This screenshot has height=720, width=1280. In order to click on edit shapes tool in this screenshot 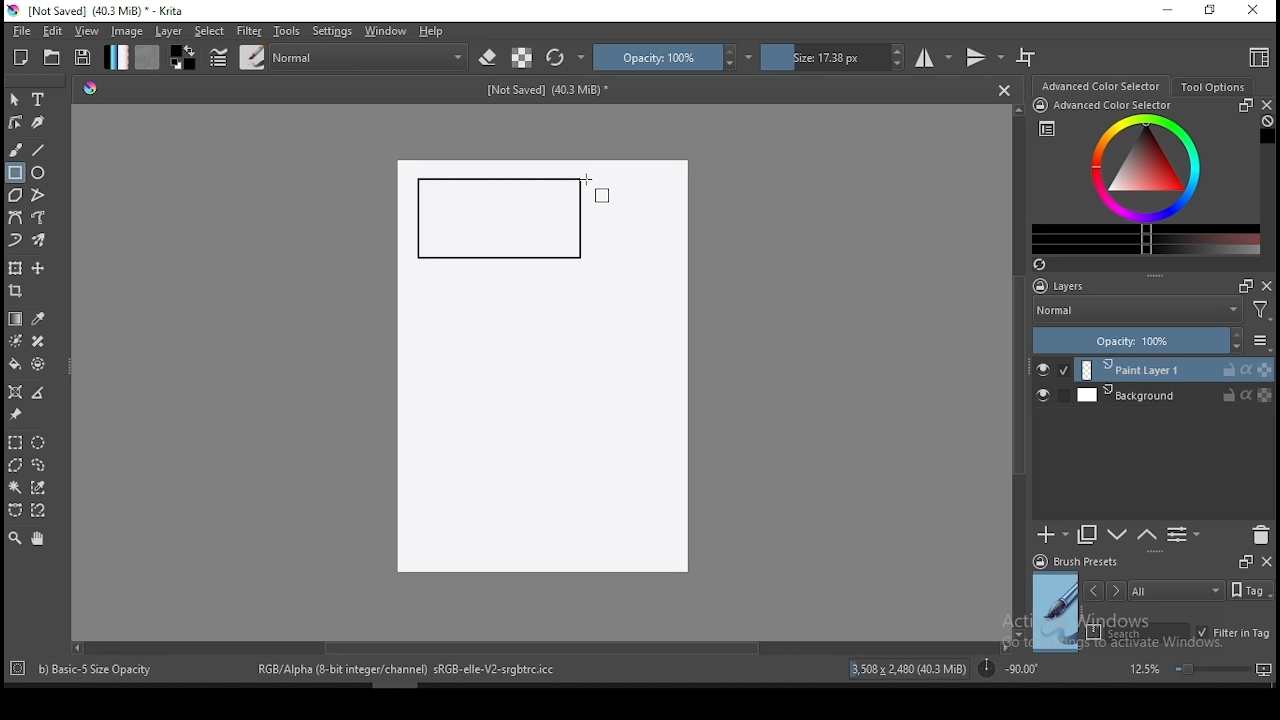, I will do `click(15, 121)`.